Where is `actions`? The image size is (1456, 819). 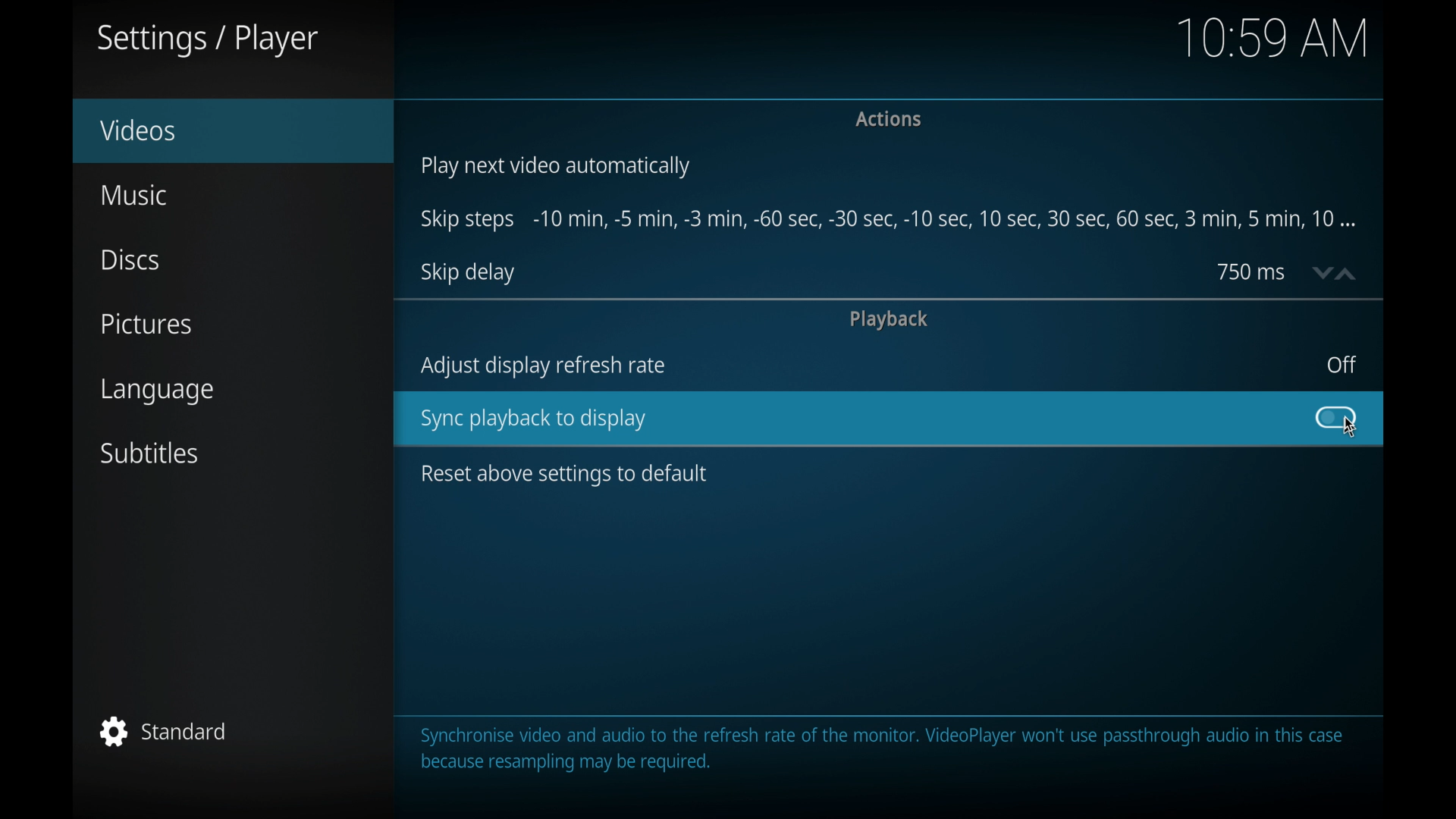 actions is located at coordinates (889, 120).